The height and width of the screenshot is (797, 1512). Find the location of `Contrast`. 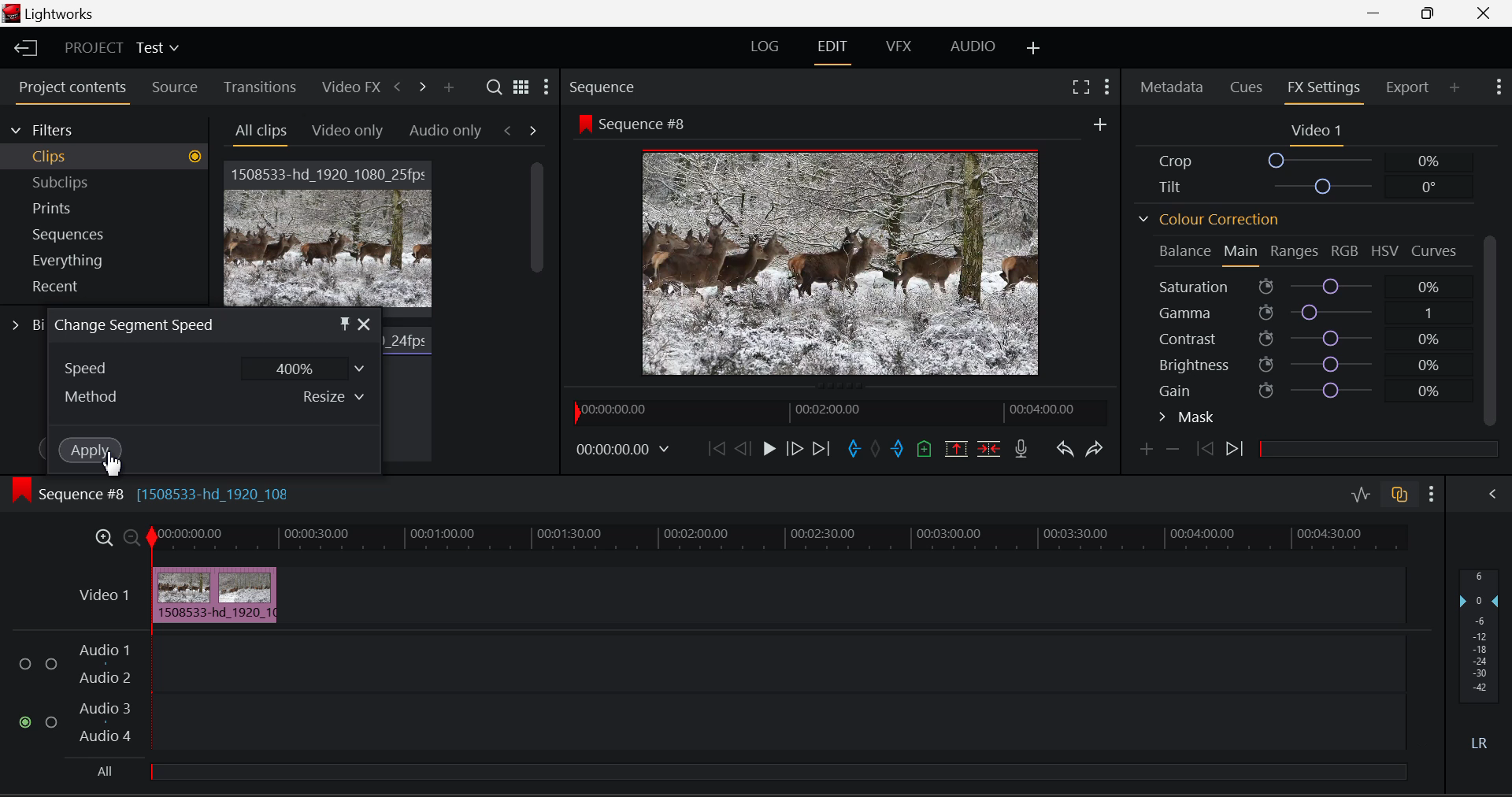

Contrast is located at coordinates (1303, 339).